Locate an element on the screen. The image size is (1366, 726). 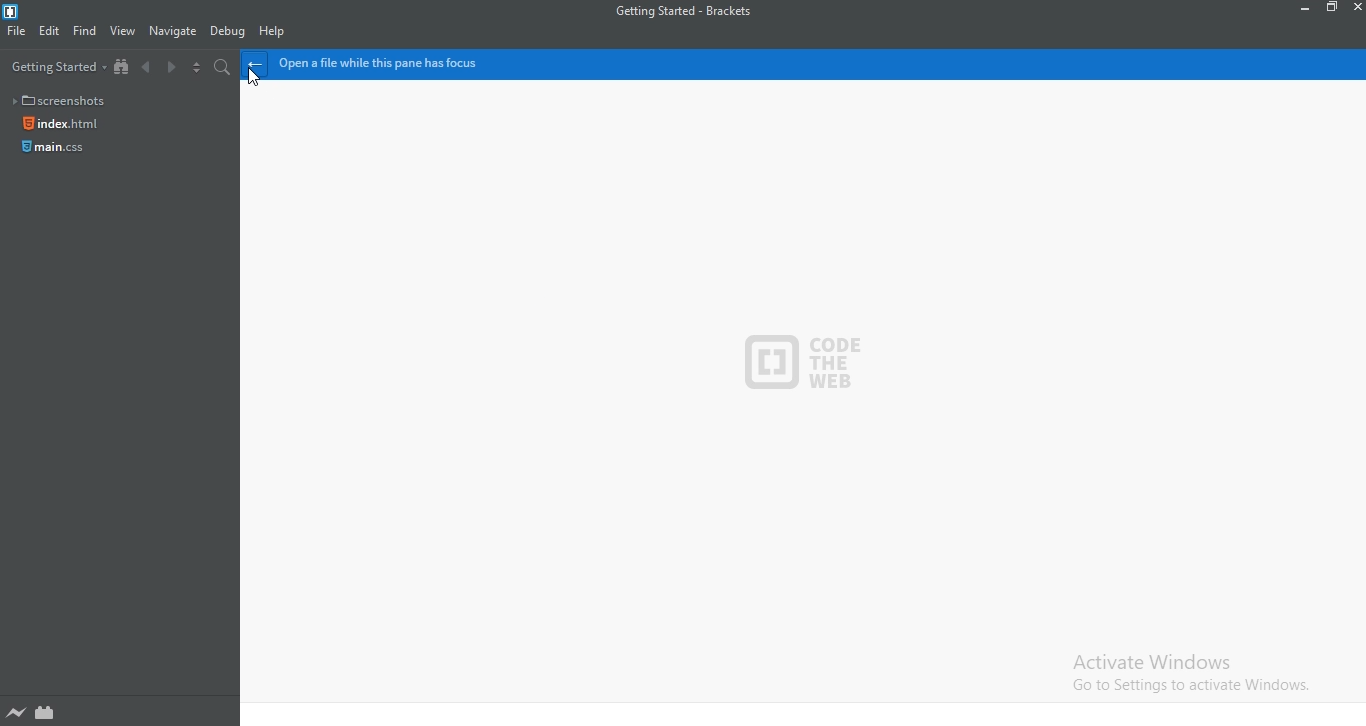
Navigate is located at coordinates (174, 33).